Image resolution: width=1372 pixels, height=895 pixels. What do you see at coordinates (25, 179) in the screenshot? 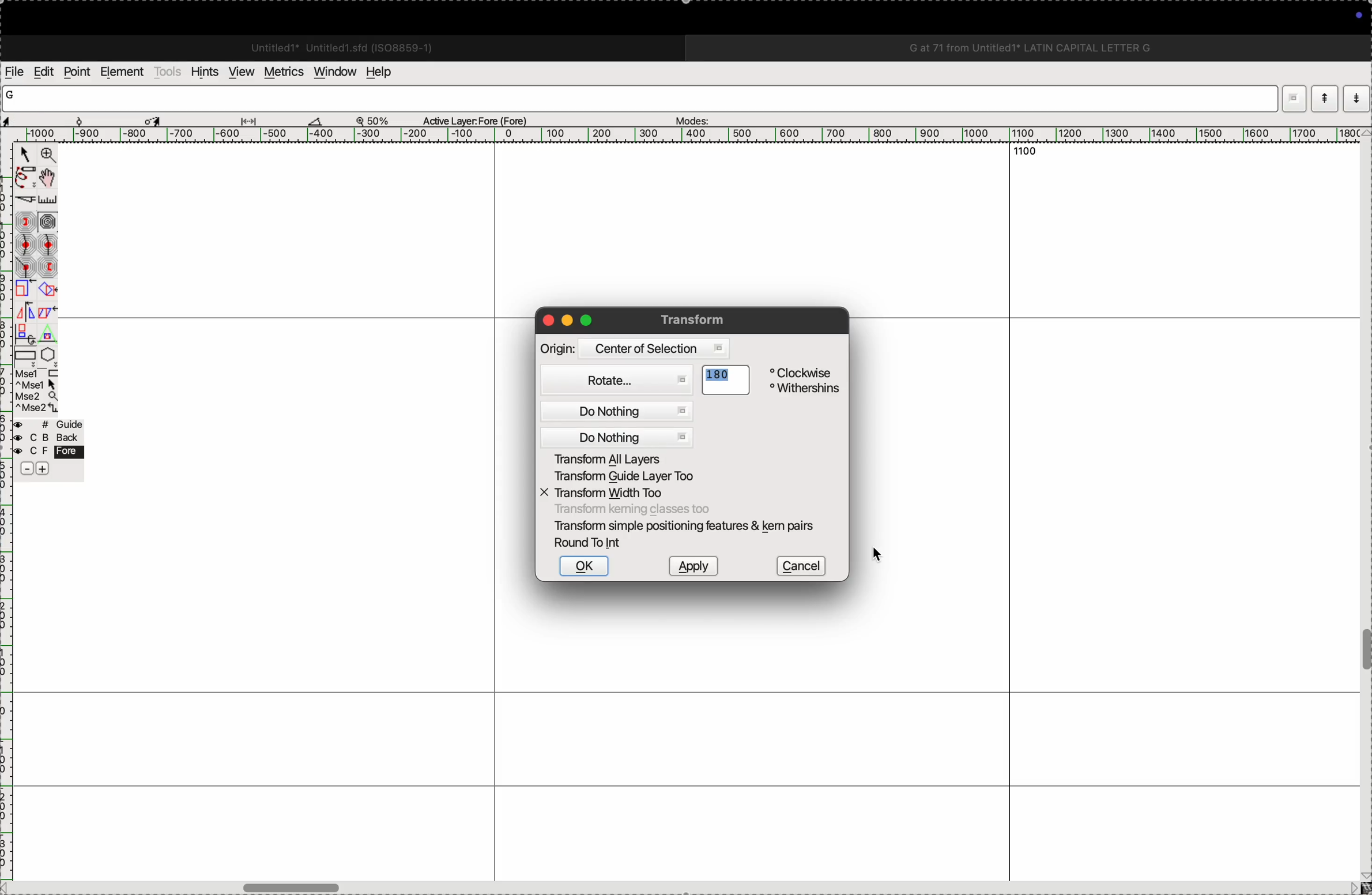
I see `freehand` at bounding box center [25, 179].